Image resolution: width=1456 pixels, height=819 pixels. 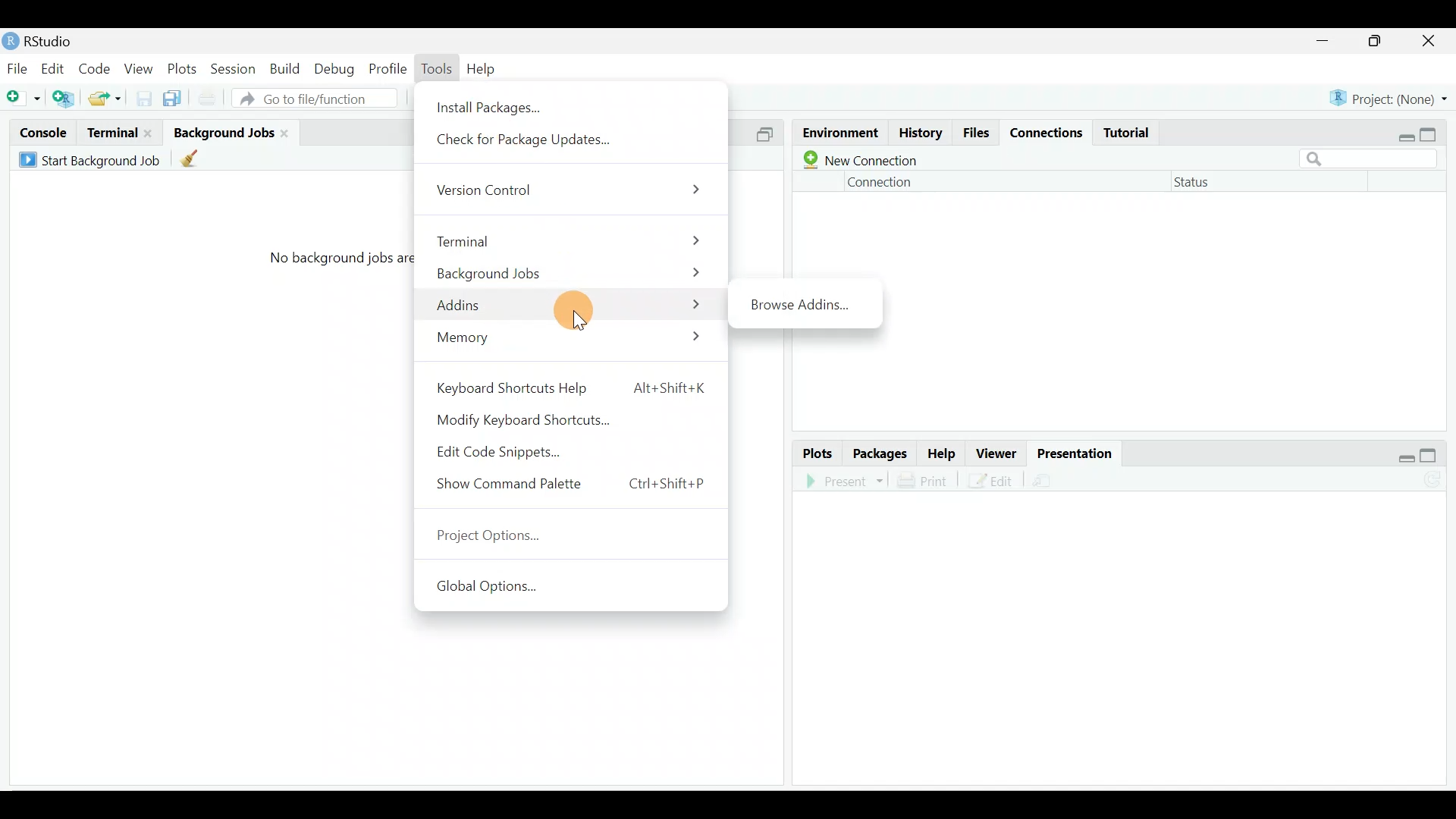 I want to click on Edit, so click(x=55, y=67).